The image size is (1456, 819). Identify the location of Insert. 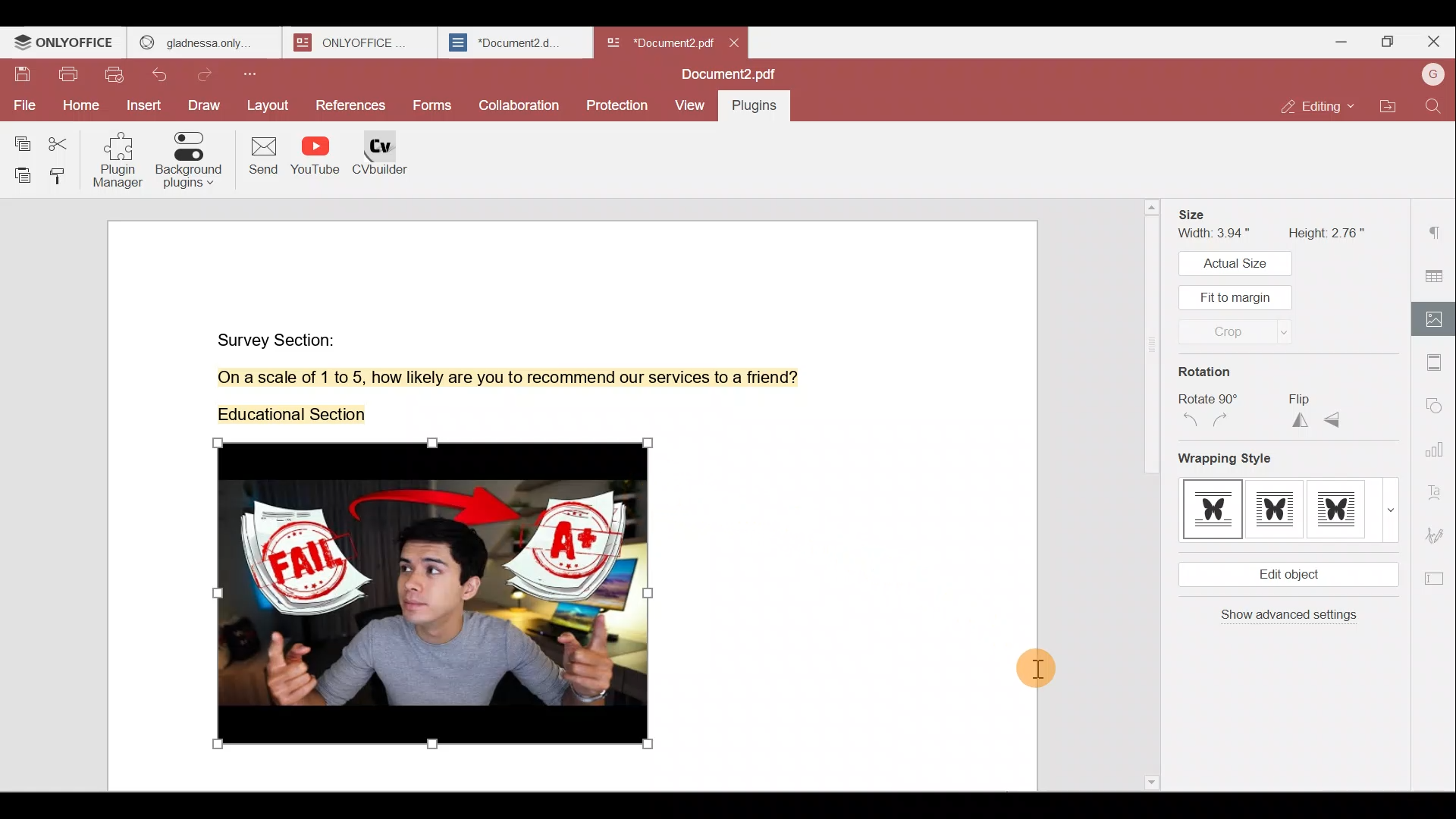
(144, 107).